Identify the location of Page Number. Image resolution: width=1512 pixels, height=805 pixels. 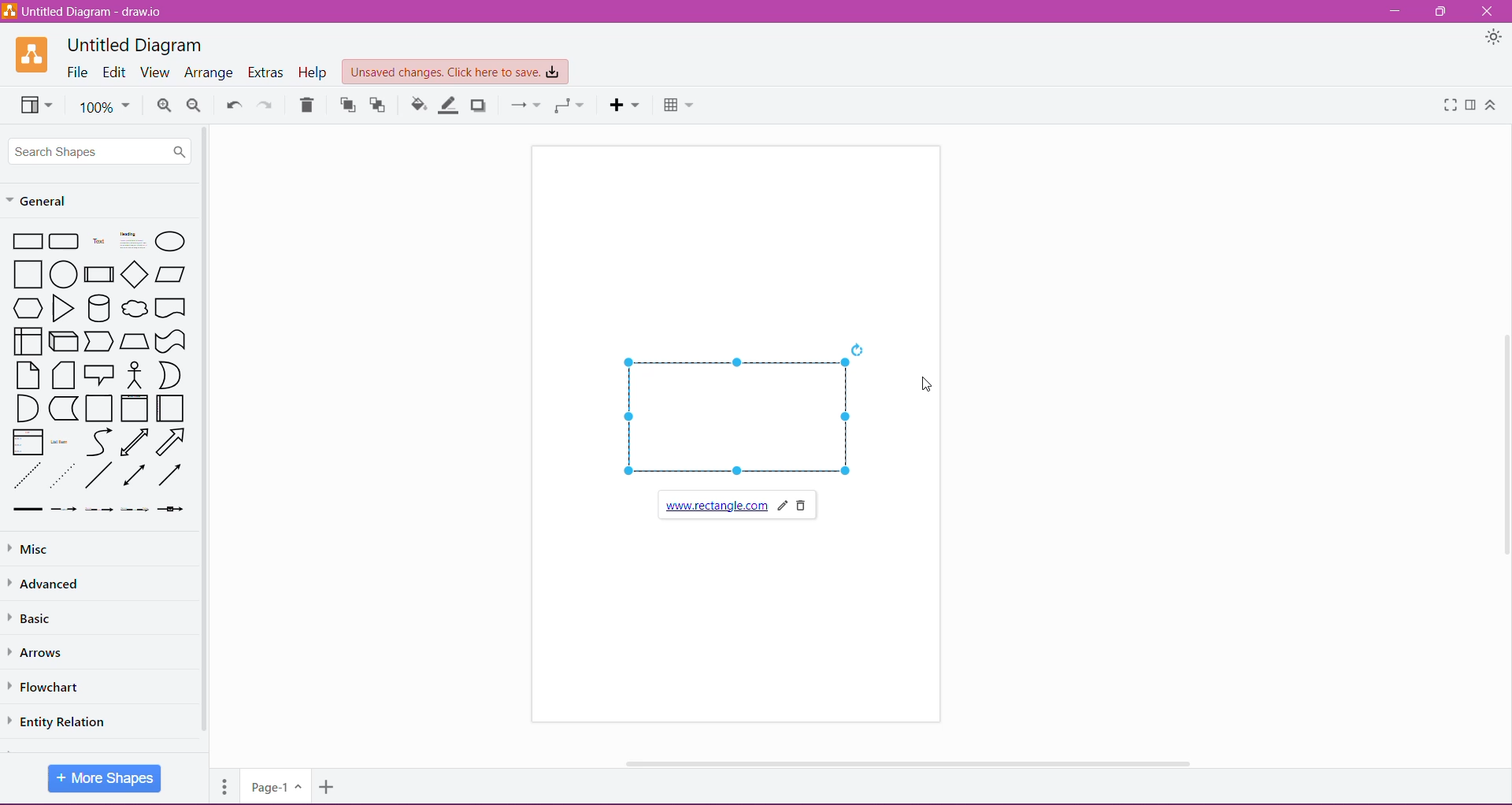
(275, 787).